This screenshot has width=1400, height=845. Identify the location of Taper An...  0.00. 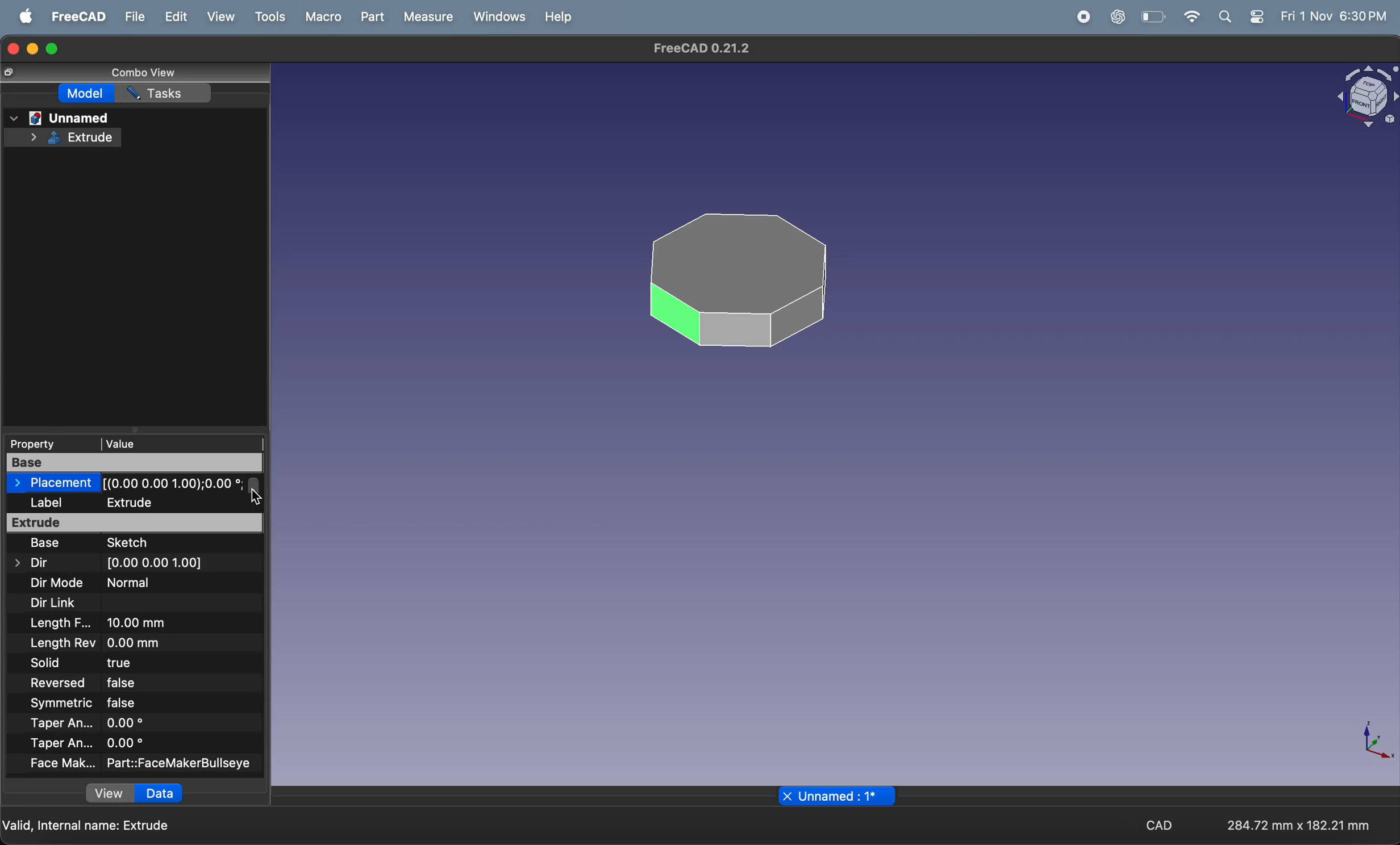
(99, 745).